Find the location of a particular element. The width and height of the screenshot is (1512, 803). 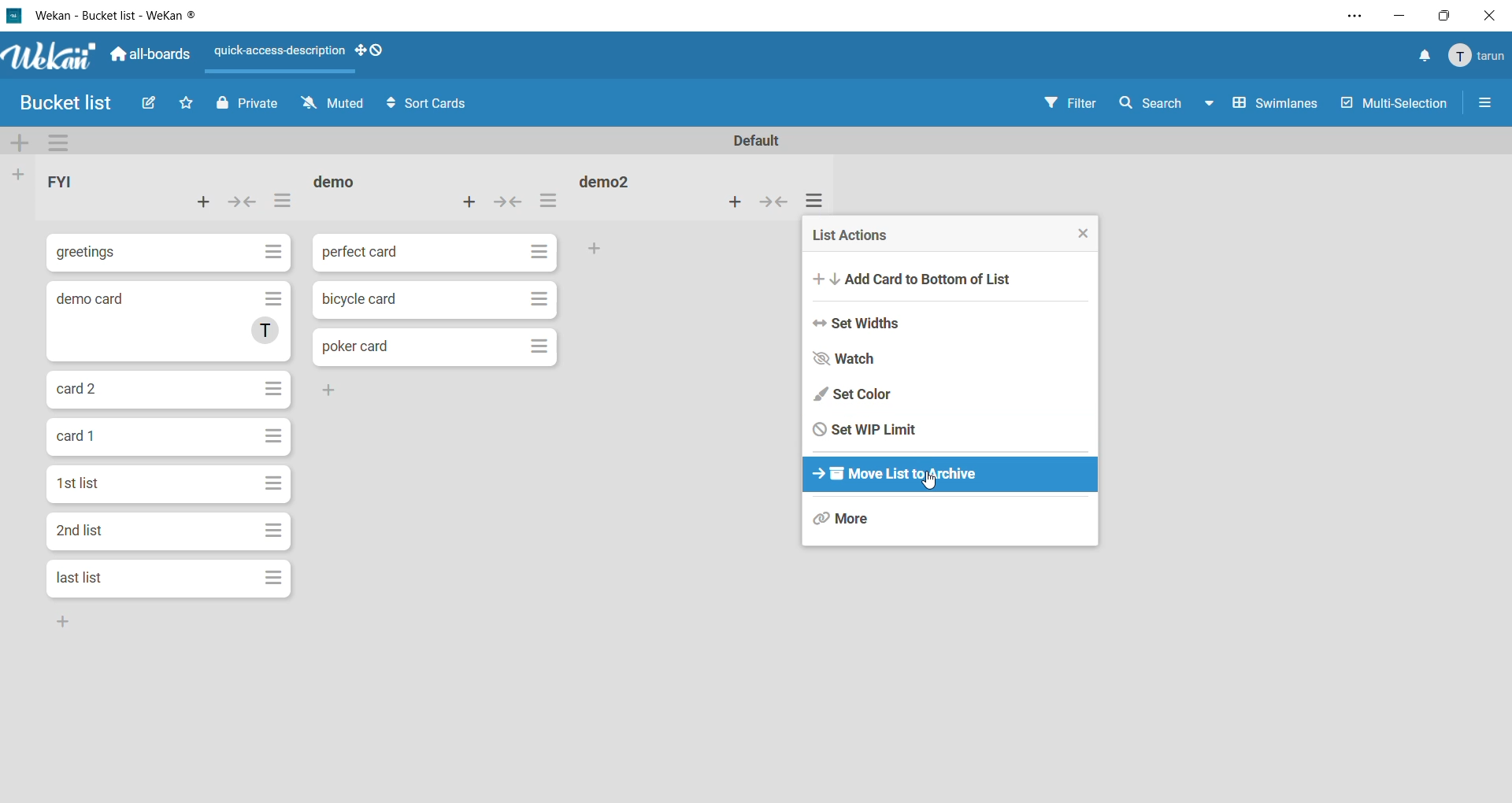

cards is located at coordinates (435, 253).